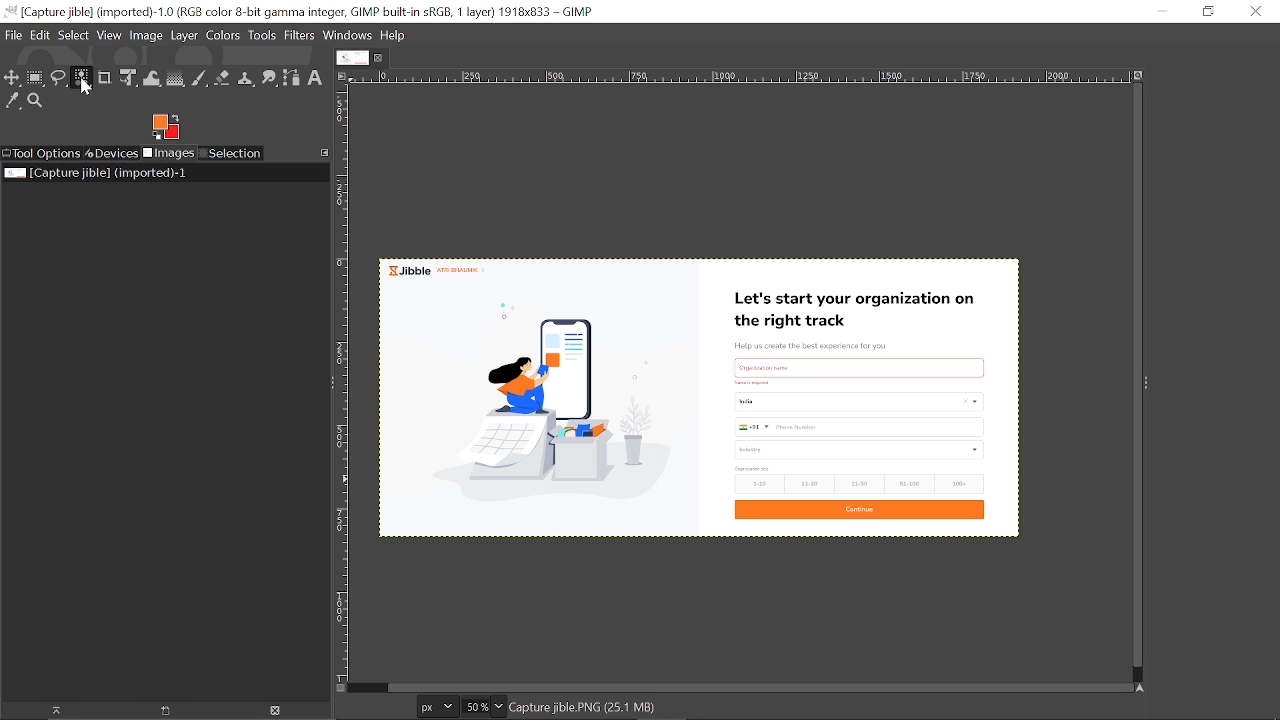 The height and width of the screenshot is (720, 1280). I want to click on Zoom options, so click(498, 706).